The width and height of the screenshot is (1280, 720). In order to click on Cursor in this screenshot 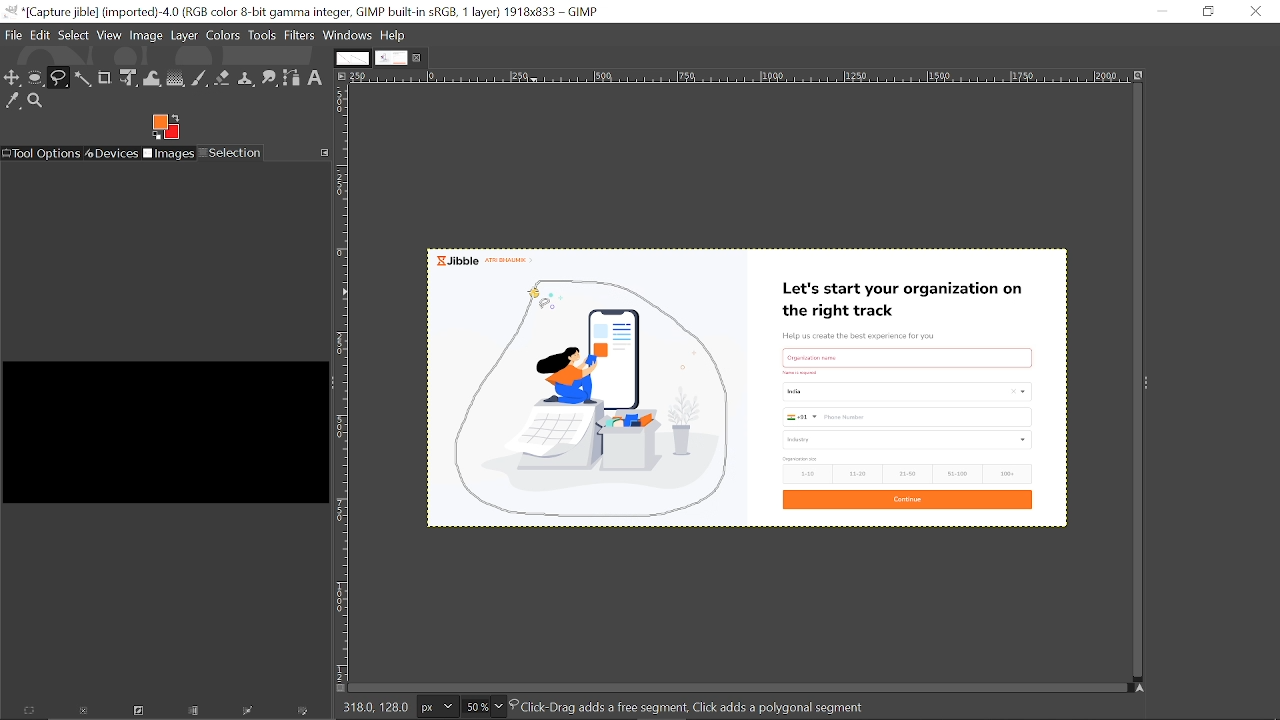, I will do `click(536, 293)`.